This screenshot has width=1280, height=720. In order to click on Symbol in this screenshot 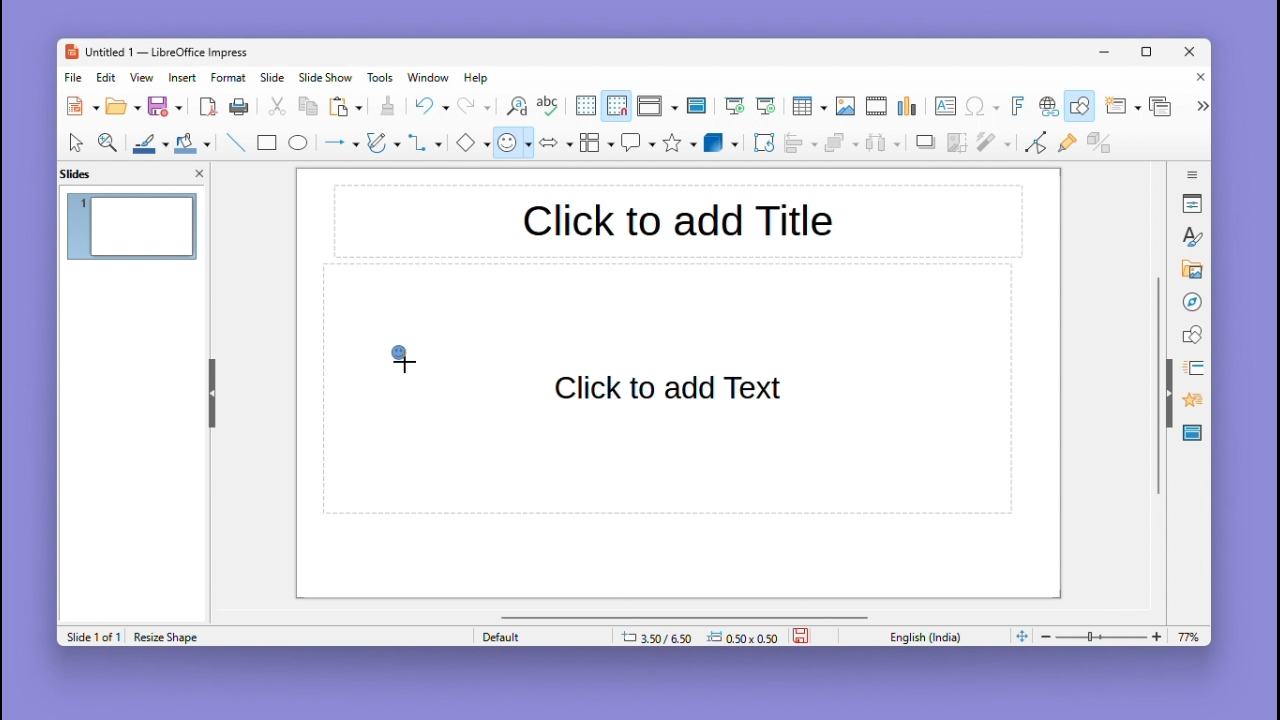, I will do `click(516, 142)`.